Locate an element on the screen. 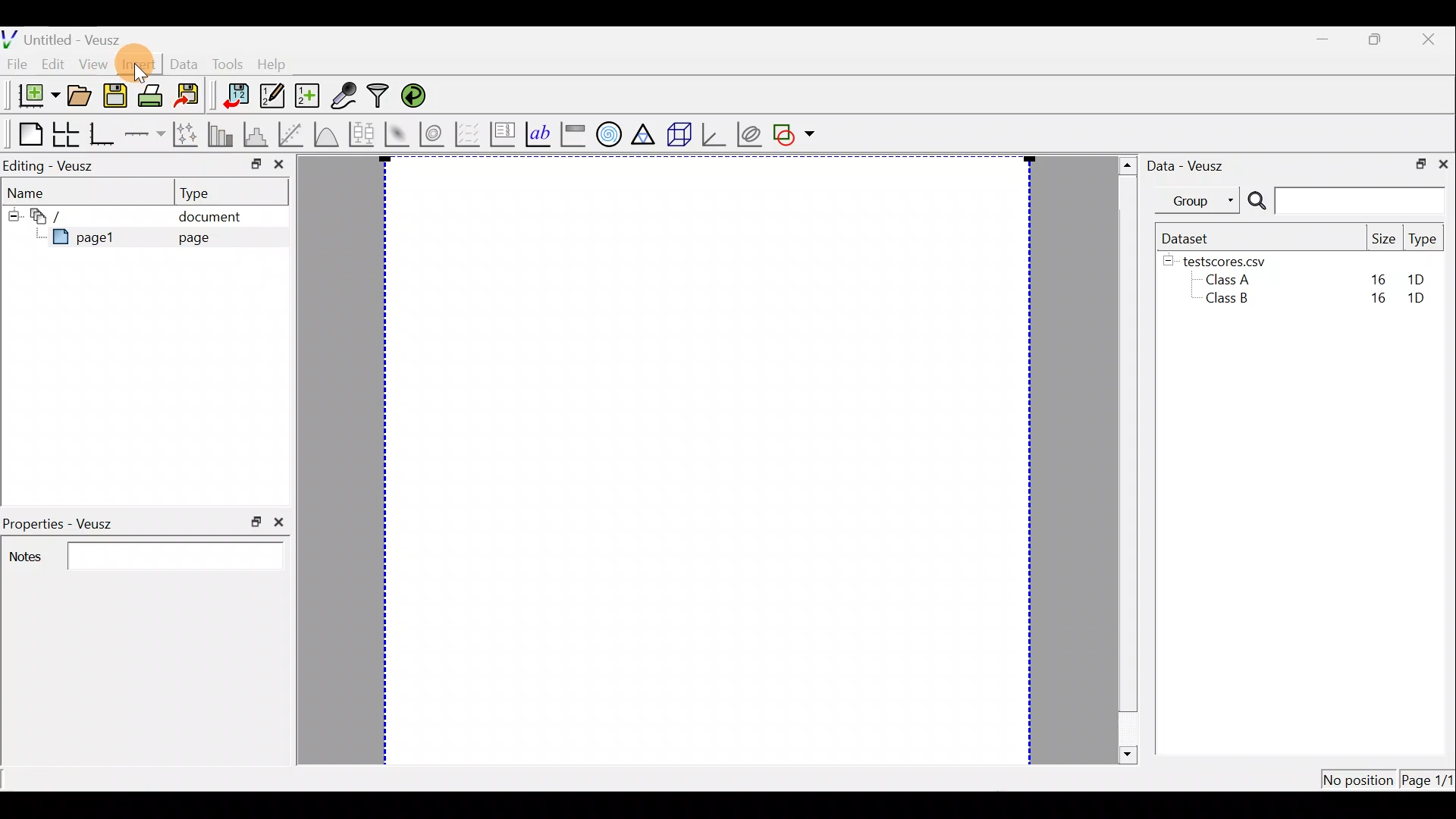 The height and width of the screenshot is (819, 1456). 16 is located at coordinates (1375, 302).